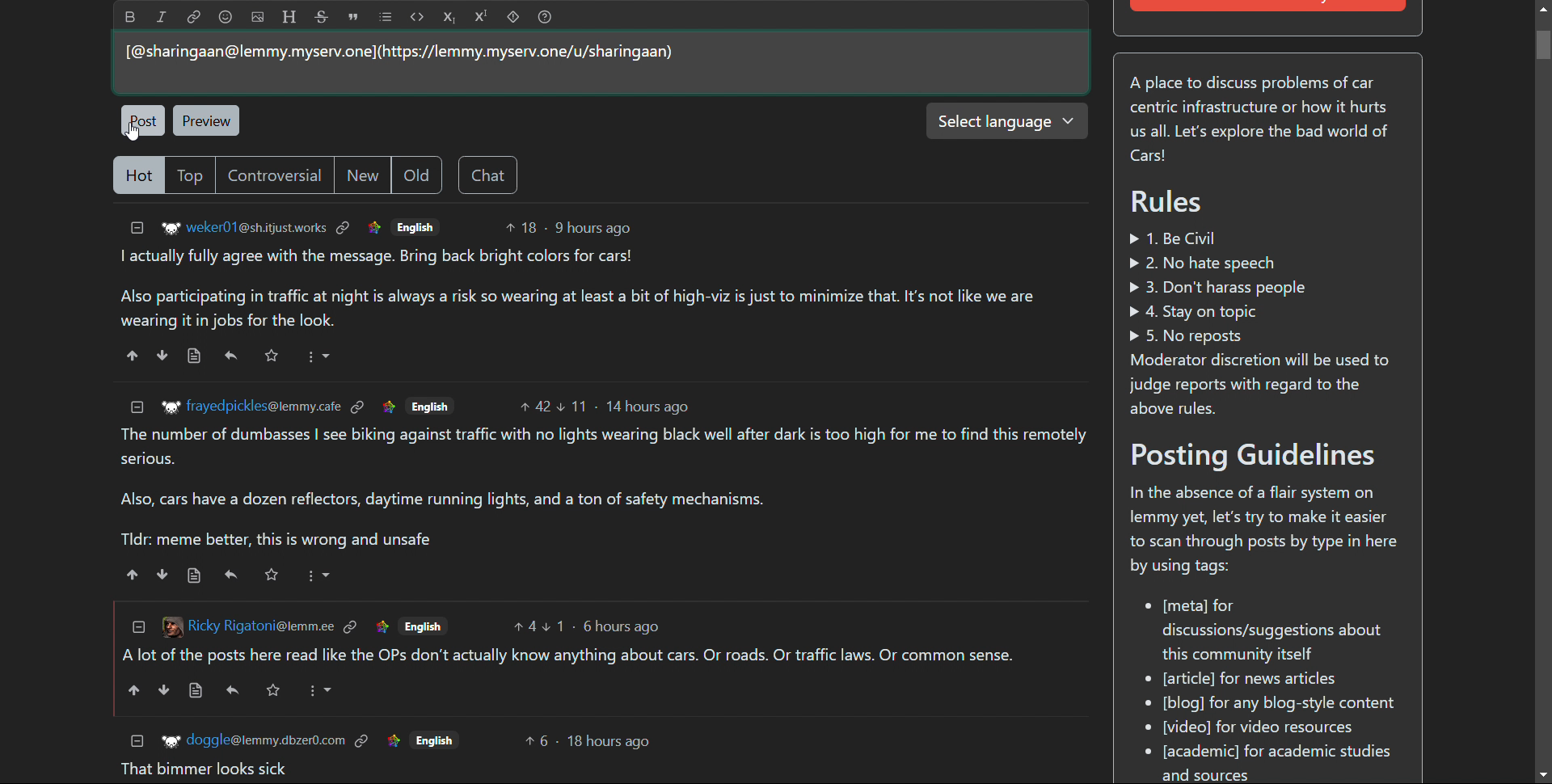 The height and width of the screenshot is (784, 1552). What do you see at coordinates (416, 17) in the screenshot?
I see `code` at bounding box center [416, 17].